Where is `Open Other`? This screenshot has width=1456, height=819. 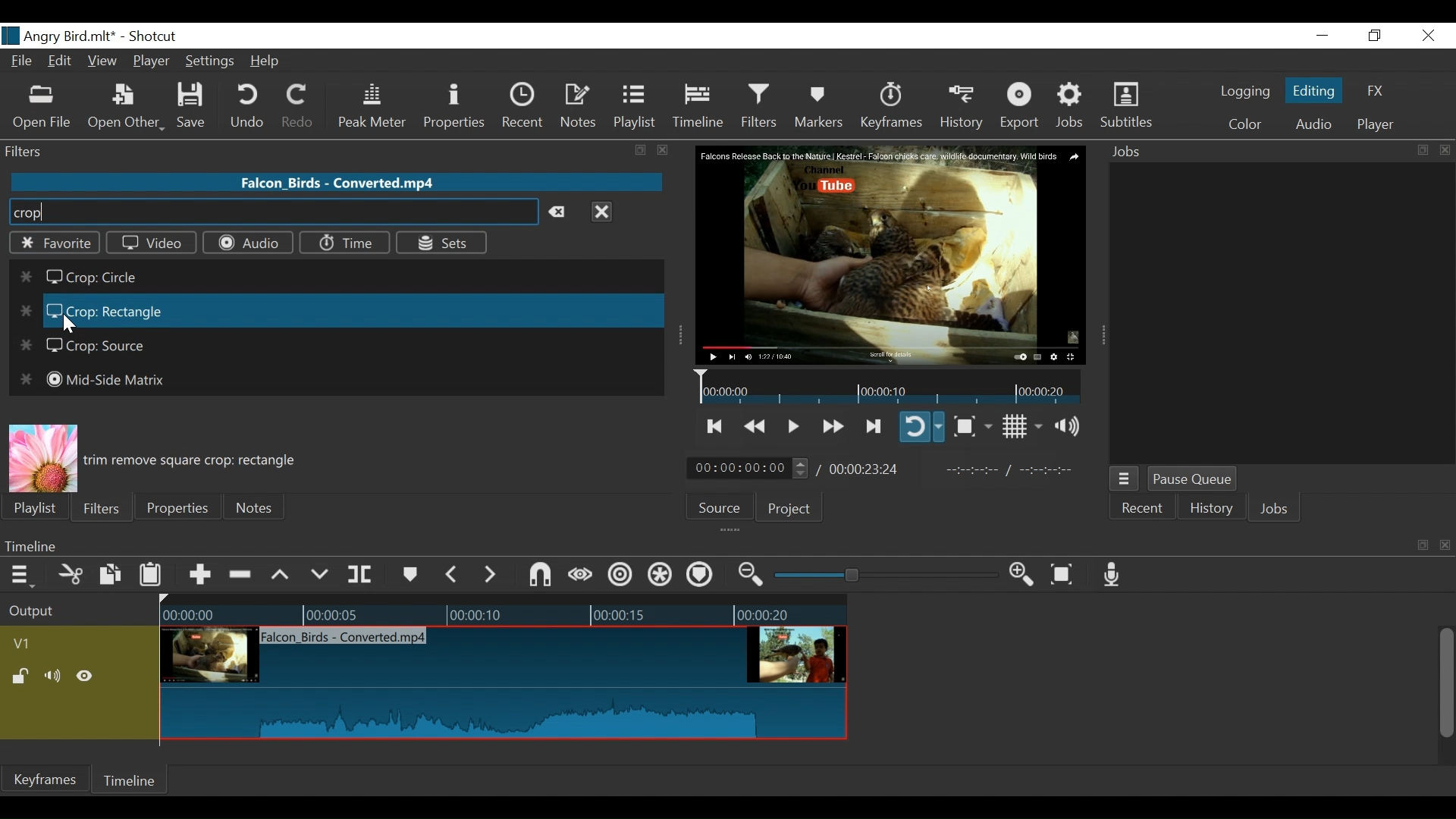
Open Other is located at coordinates (126, 107).